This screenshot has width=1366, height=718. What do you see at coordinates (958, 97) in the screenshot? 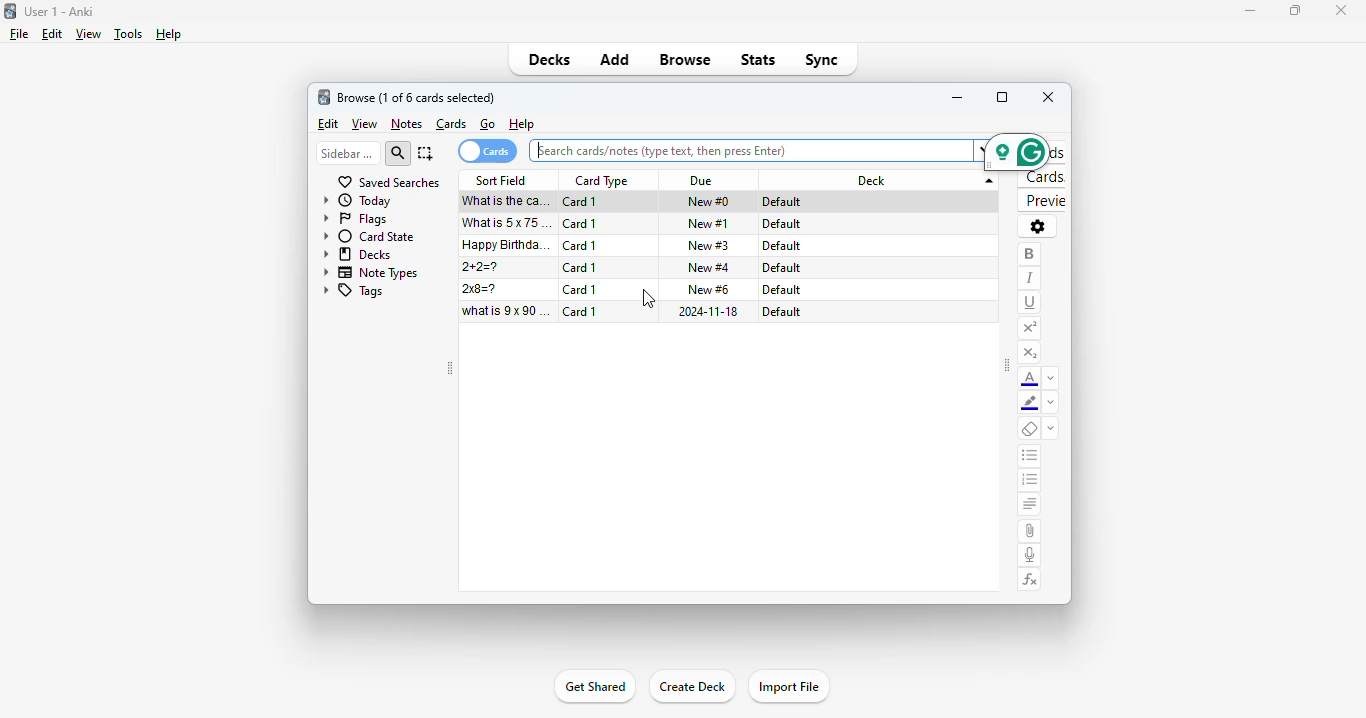
I see `minimize` at bounding box center [958, 97].